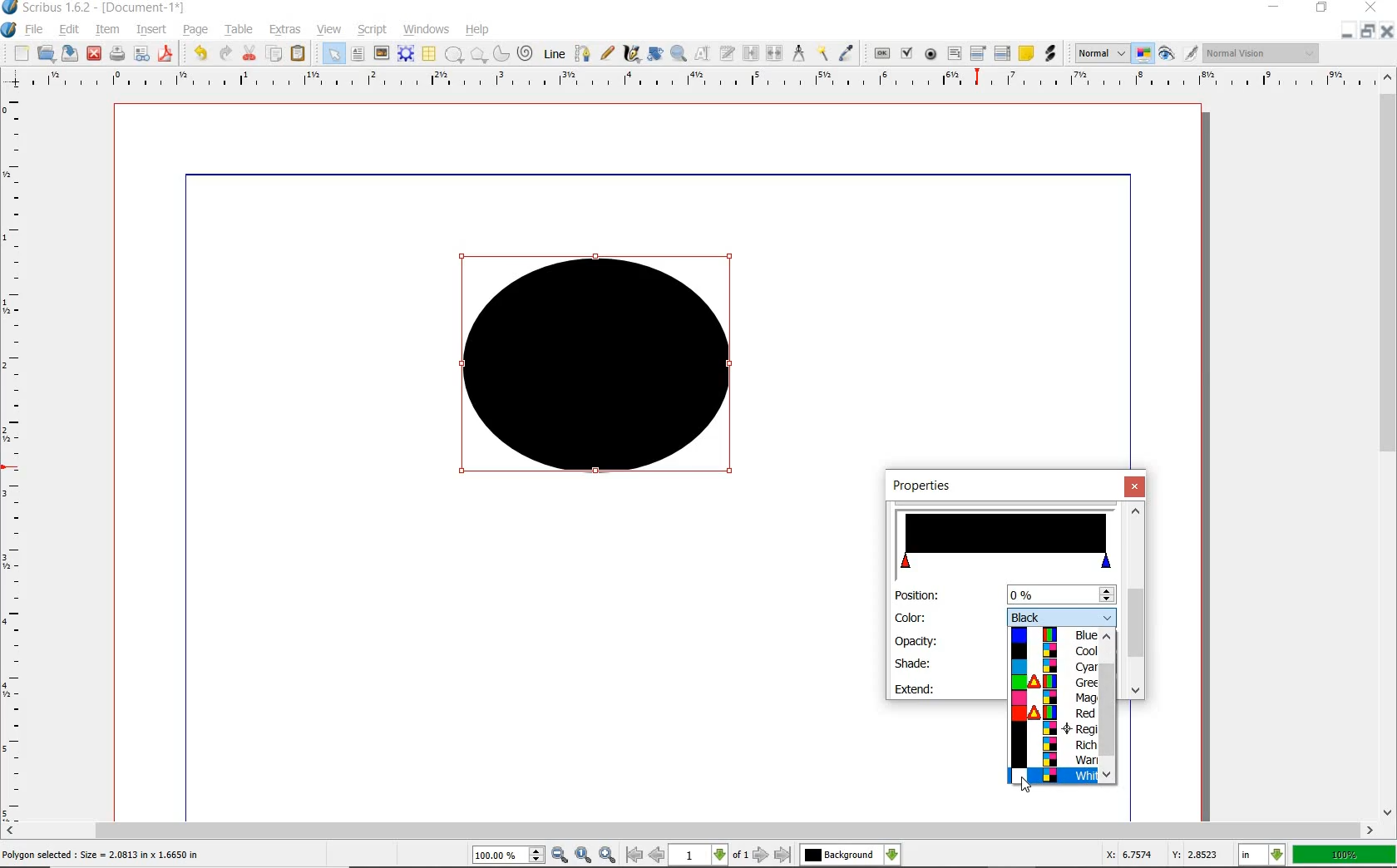  I want to click on SCROLLBAR, so click(689, 831).